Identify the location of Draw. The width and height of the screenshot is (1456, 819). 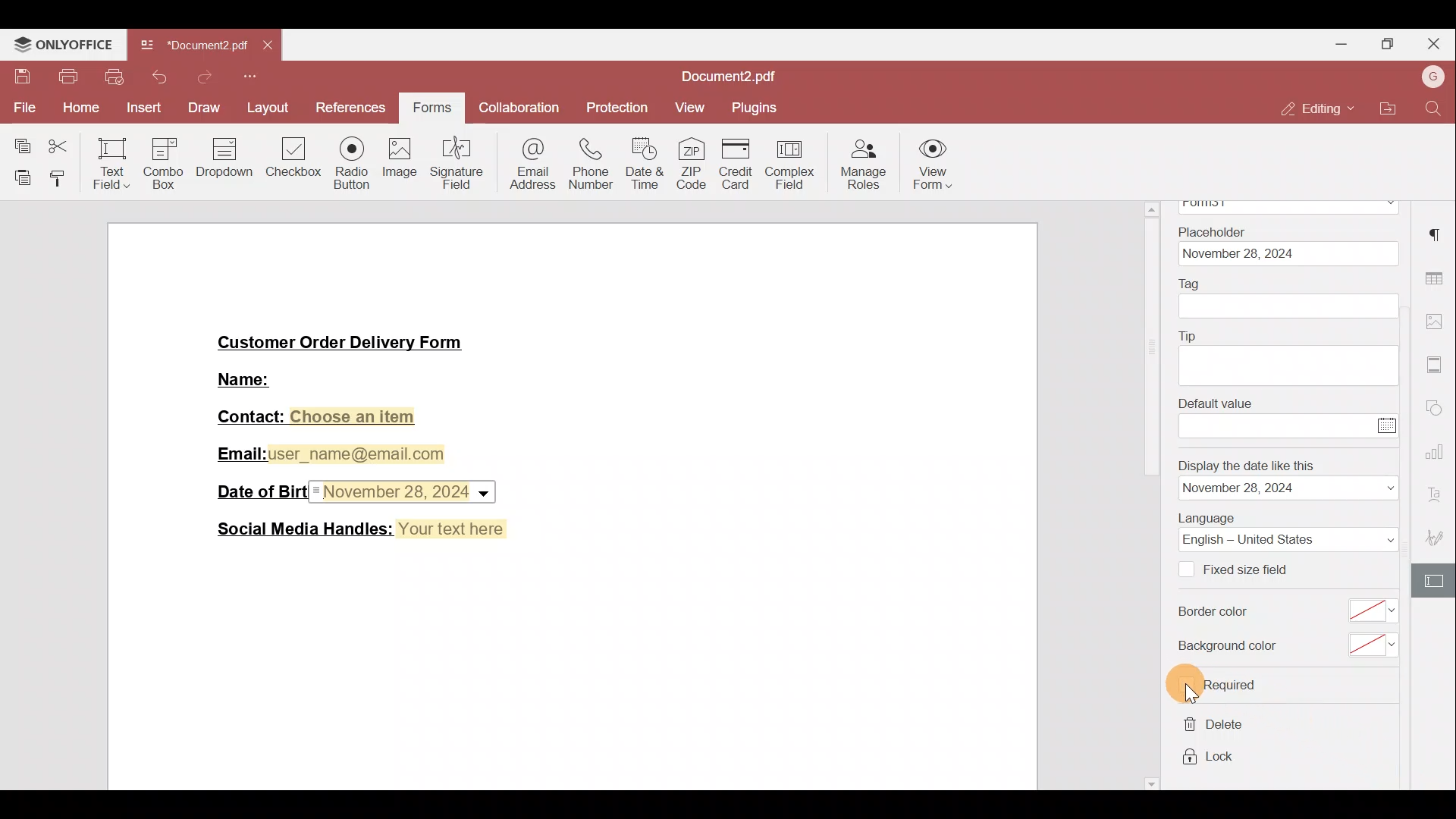
(202, 107).